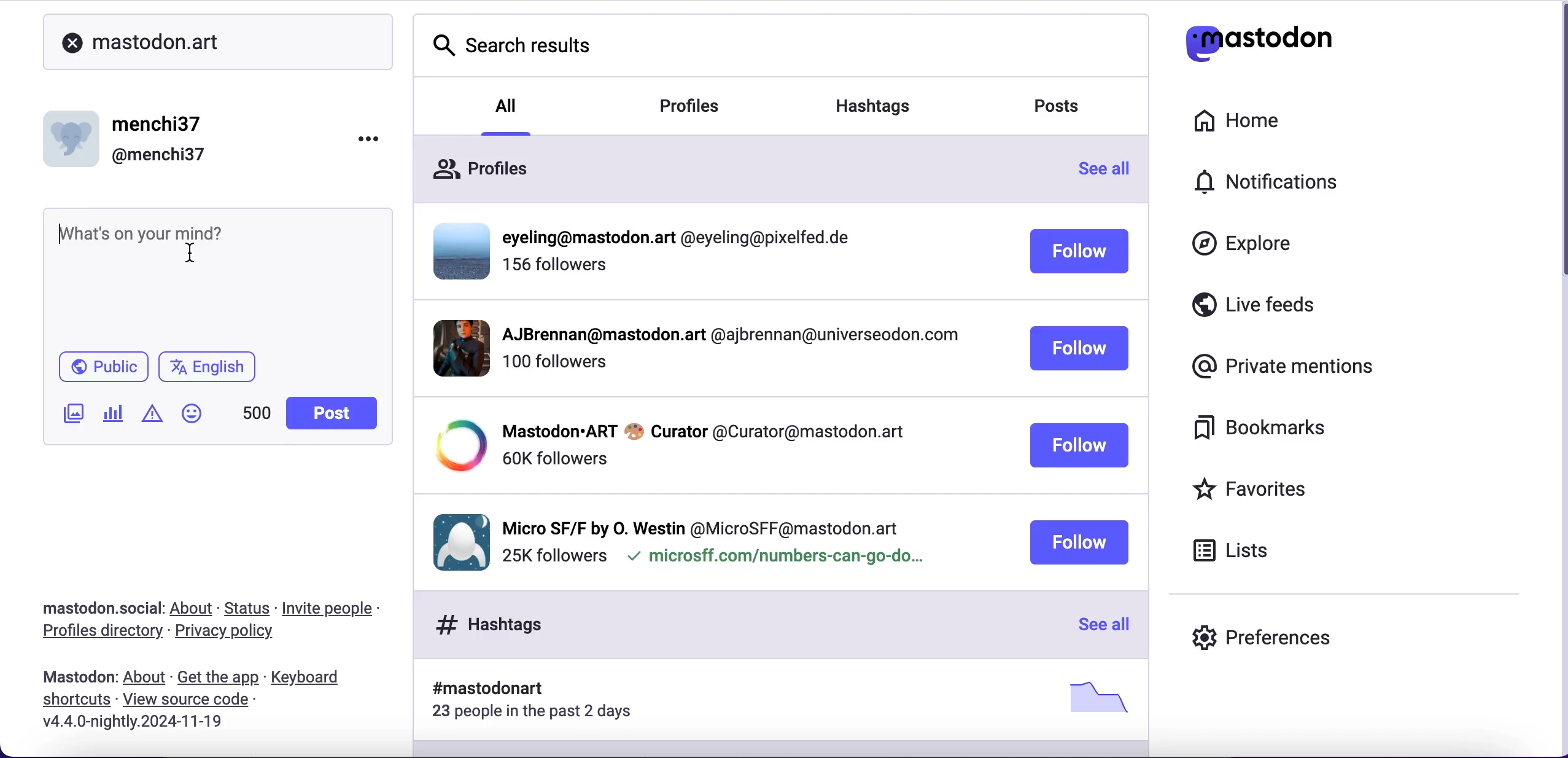  Describe the element at coordinates (137, 225) in the screenshot. I see `what's on your mind?` at that location.